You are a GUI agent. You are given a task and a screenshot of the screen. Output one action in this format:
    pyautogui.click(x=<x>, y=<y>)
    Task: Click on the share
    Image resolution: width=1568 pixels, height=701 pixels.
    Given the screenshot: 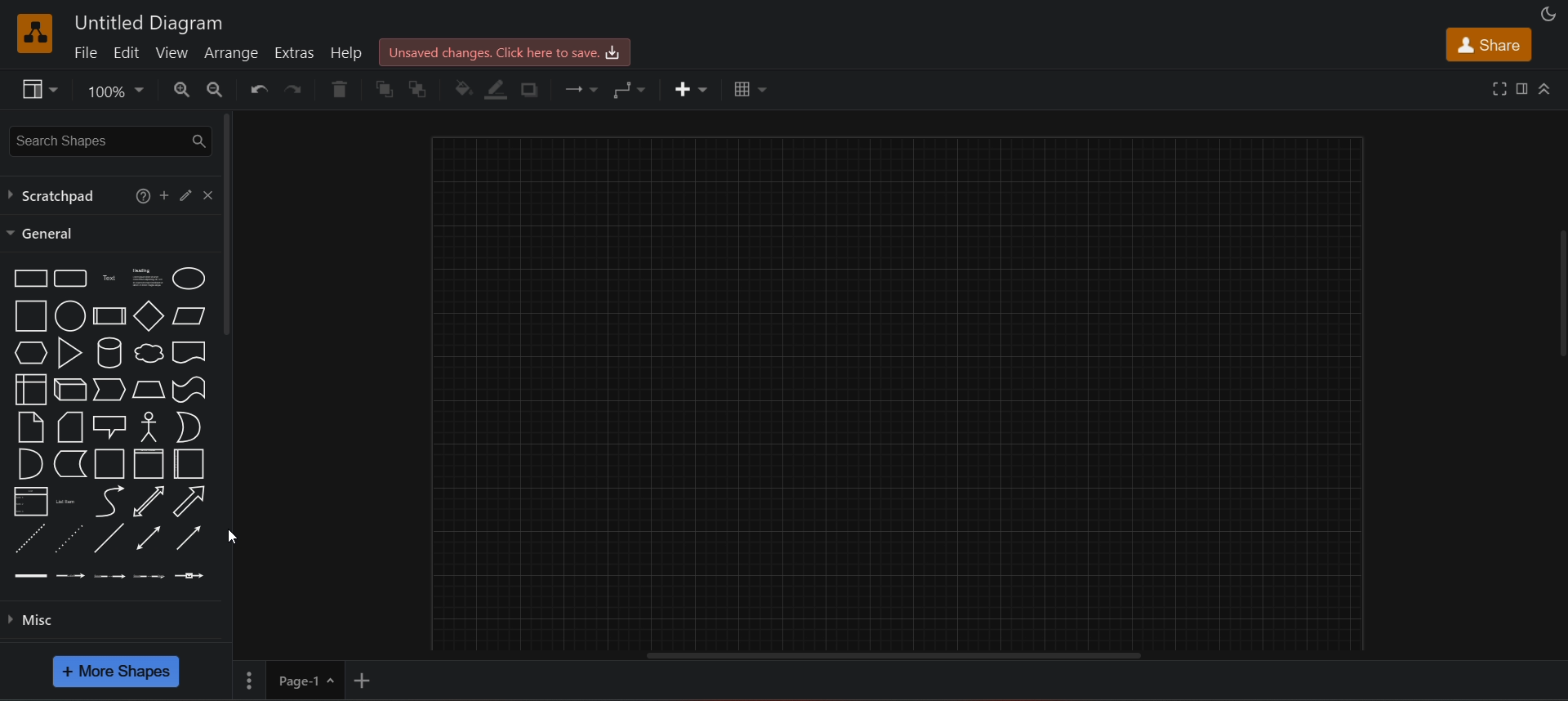 What is the action you would take?
    pyautogui.click(x=1488, y=45)
    